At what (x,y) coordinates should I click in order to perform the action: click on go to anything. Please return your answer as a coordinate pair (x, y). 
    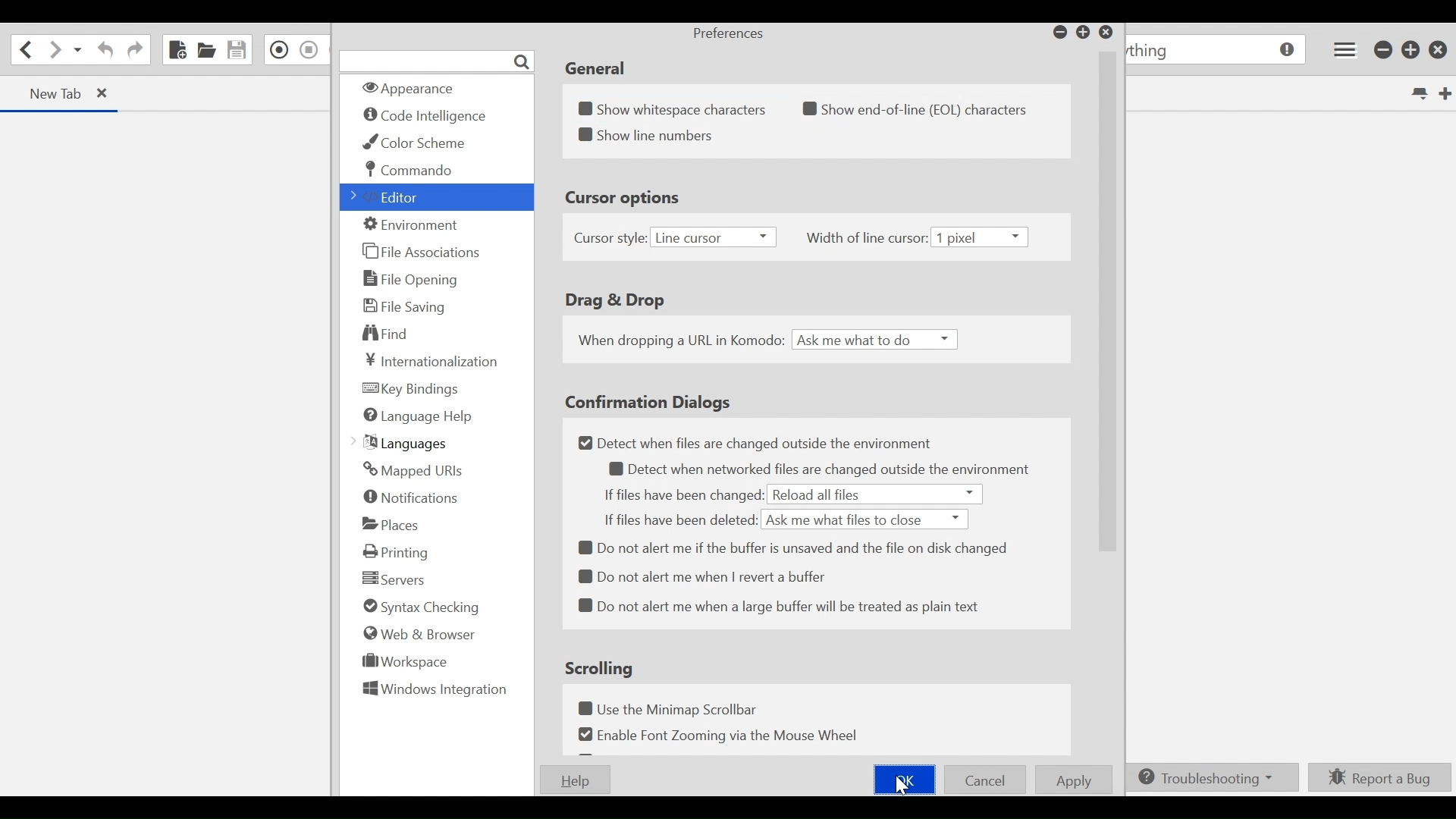
    Looking at the image, I should click on (1214, 50).